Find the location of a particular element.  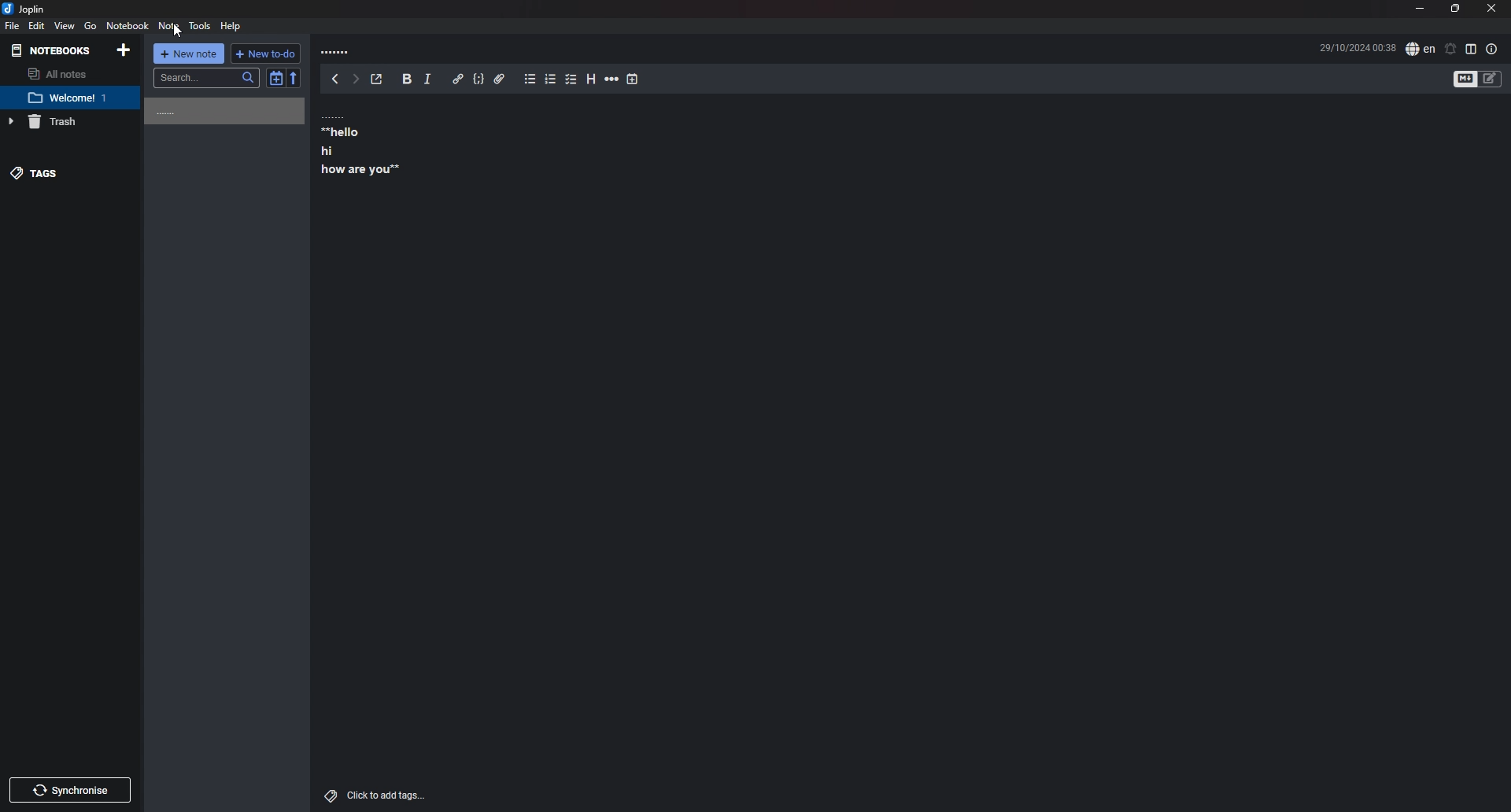

view is located at coordinates (65, 26).